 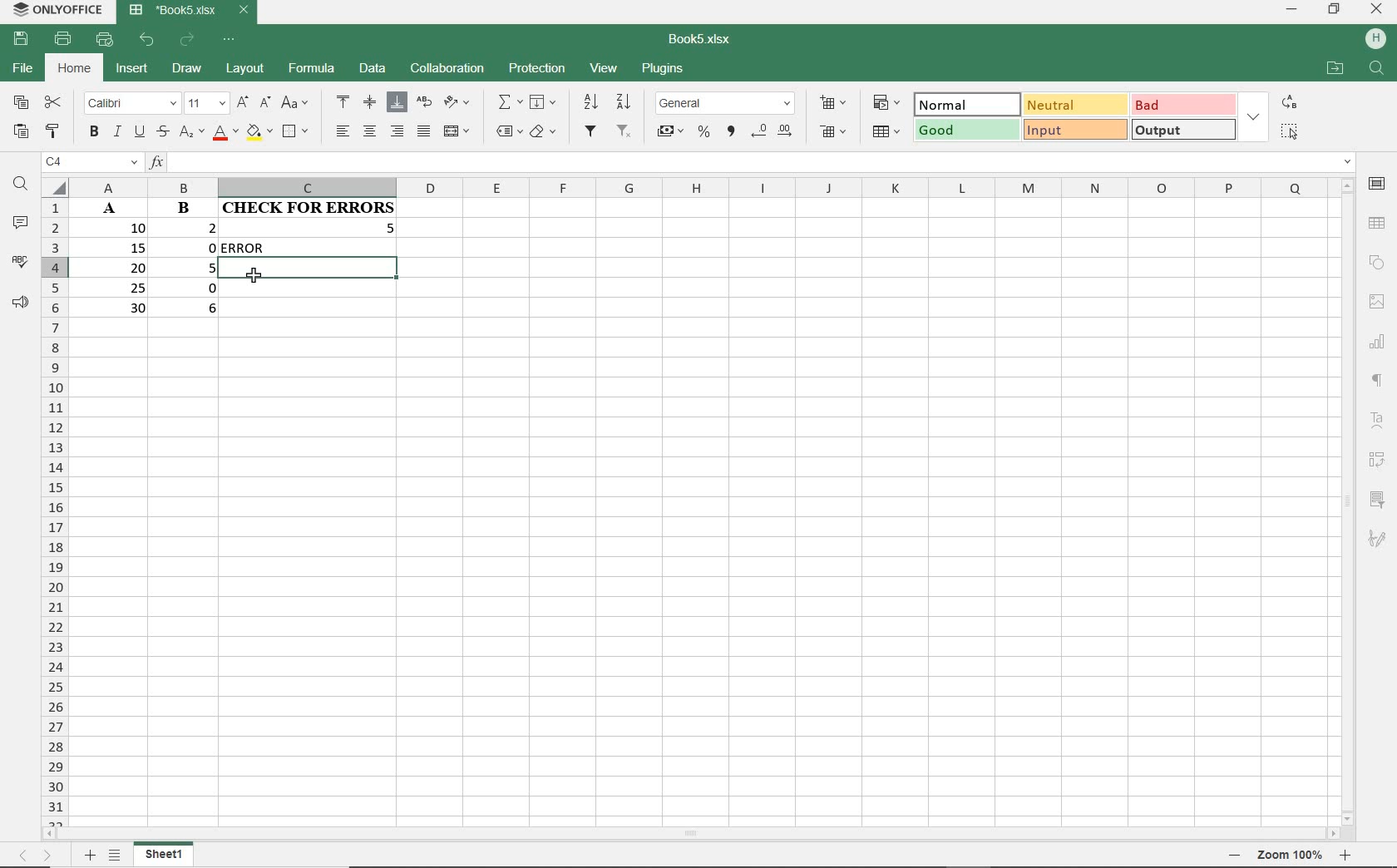 I want to click on ALIGN MIDDLE, so click(x=370, y=104).